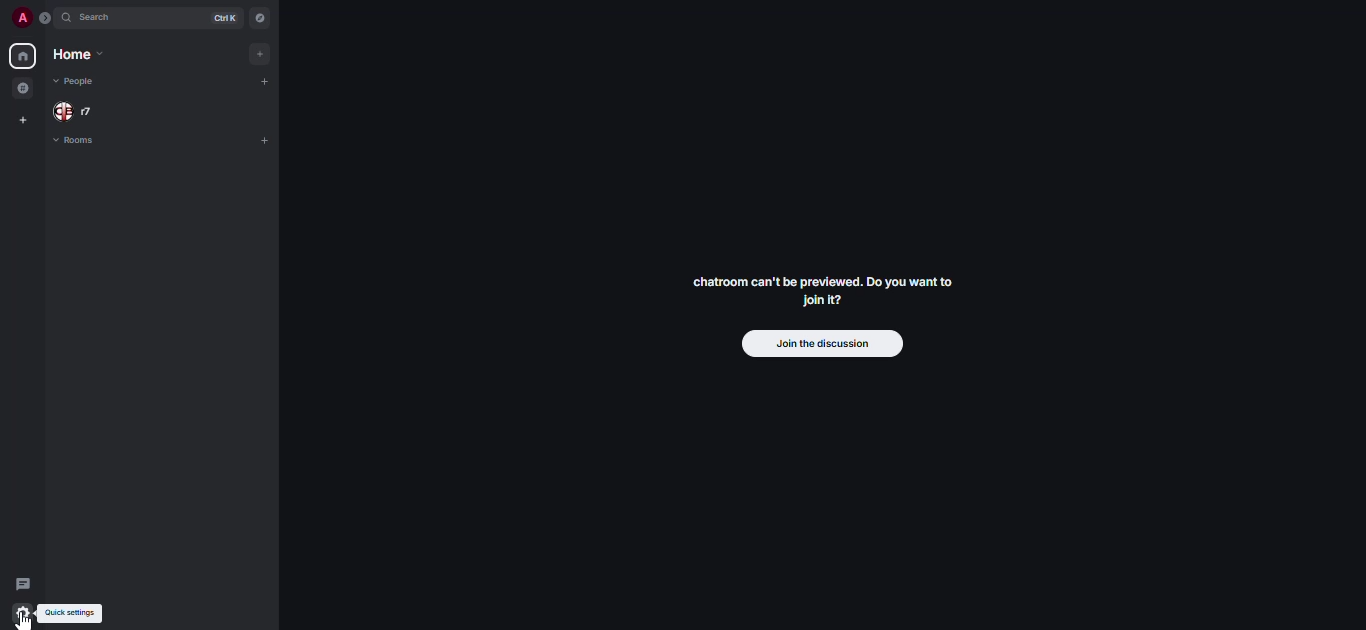 This screenshot has width=1366, height=630. What do you see at coordinates (22, 88) in the screenshot?
I see `grouped room in space` at bounding box center [22, 88].